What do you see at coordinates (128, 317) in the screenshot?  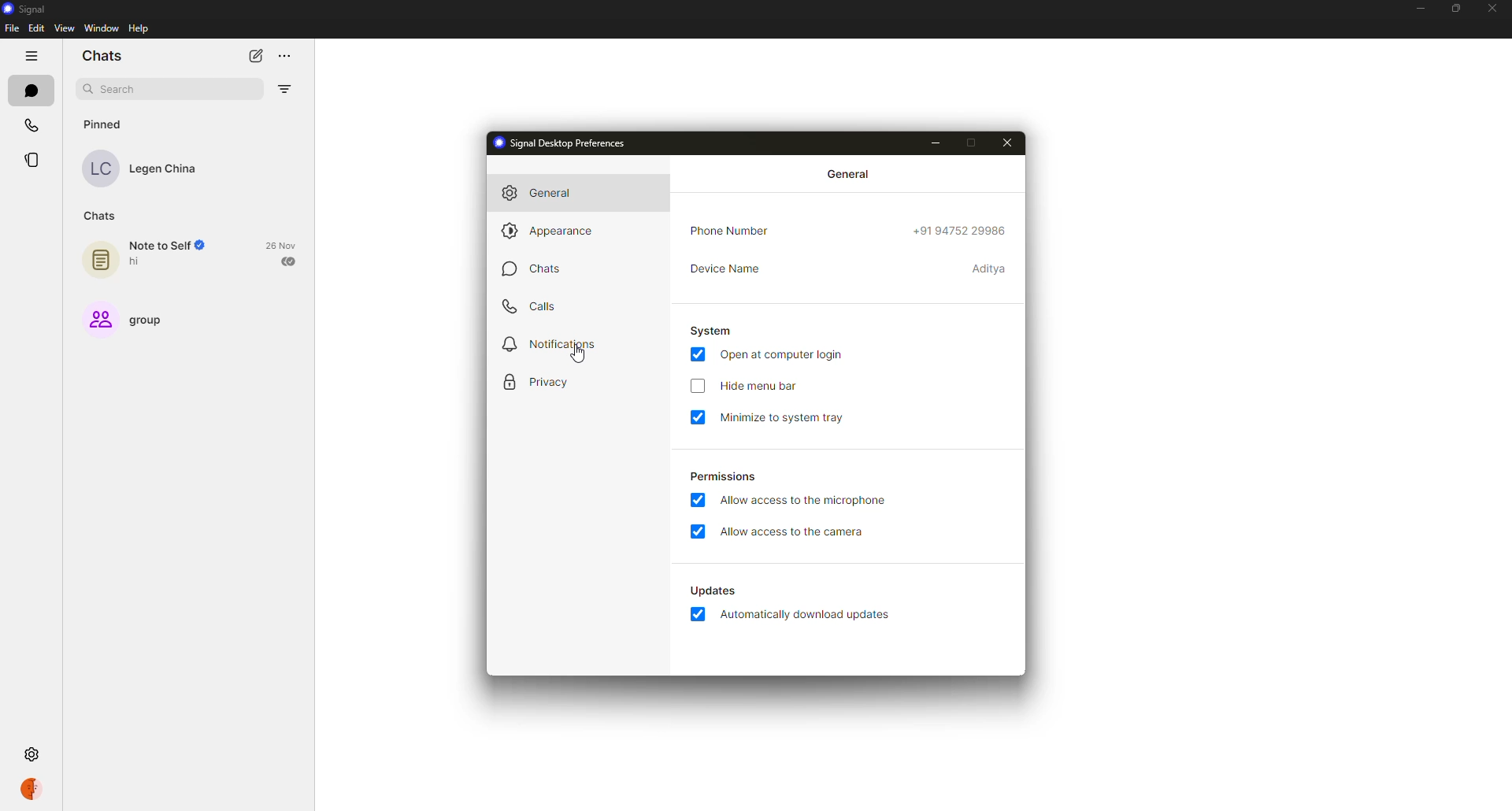 I see `group` at bounding box center [128, 317].